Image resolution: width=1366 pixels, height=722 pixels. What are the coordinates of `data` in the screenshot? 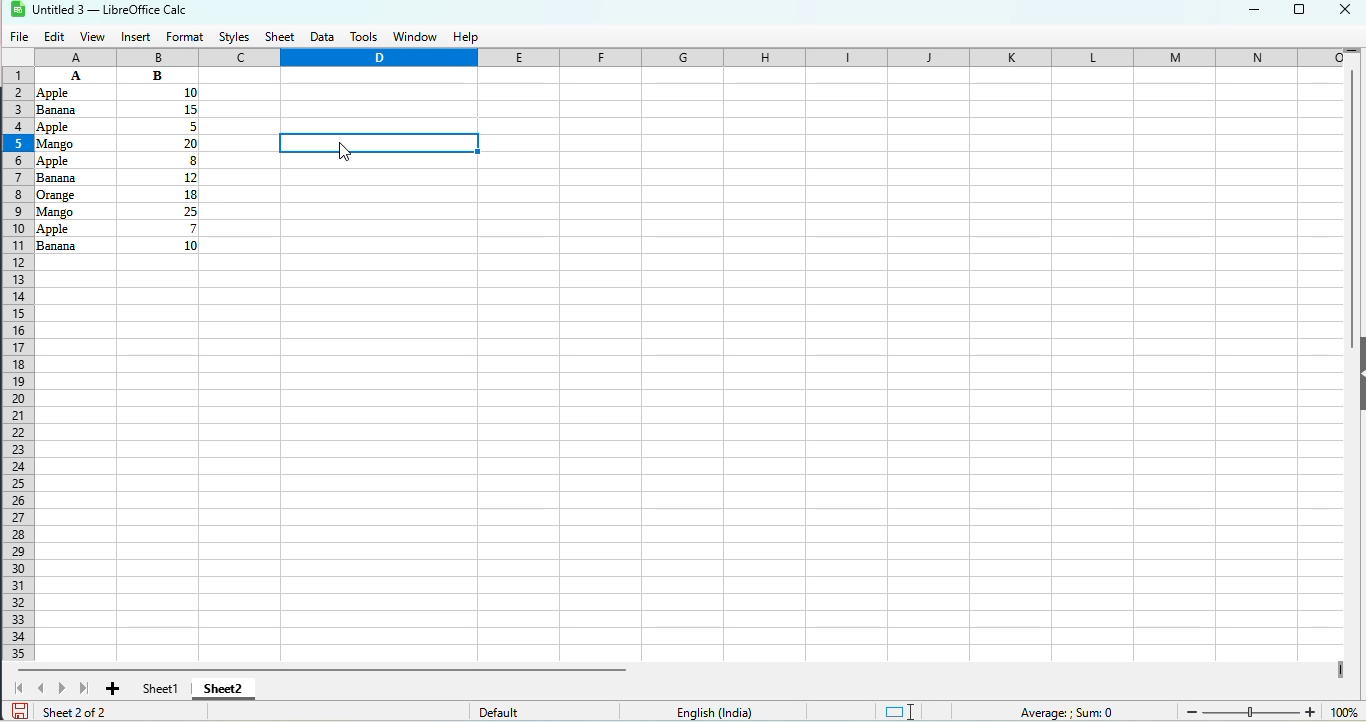 It's located at (323, 38).